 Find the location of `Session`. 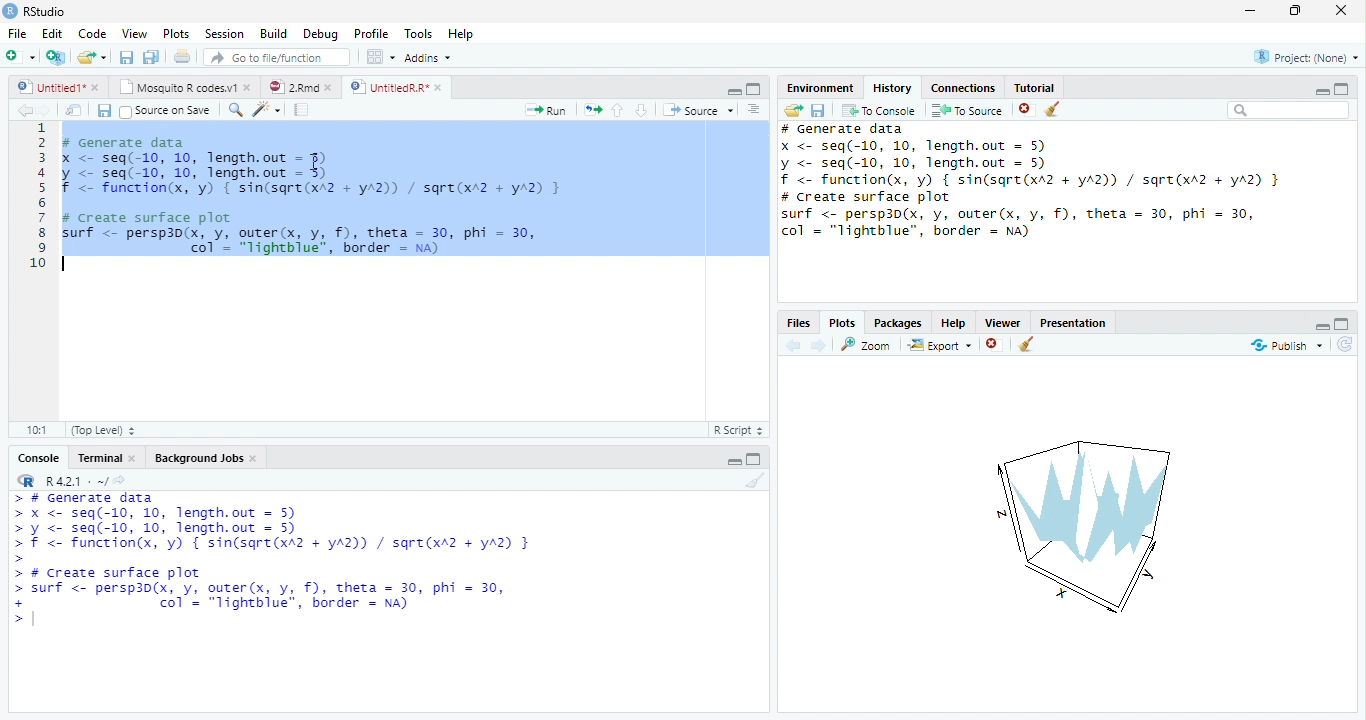

Session is located at coordinates (223, 34).